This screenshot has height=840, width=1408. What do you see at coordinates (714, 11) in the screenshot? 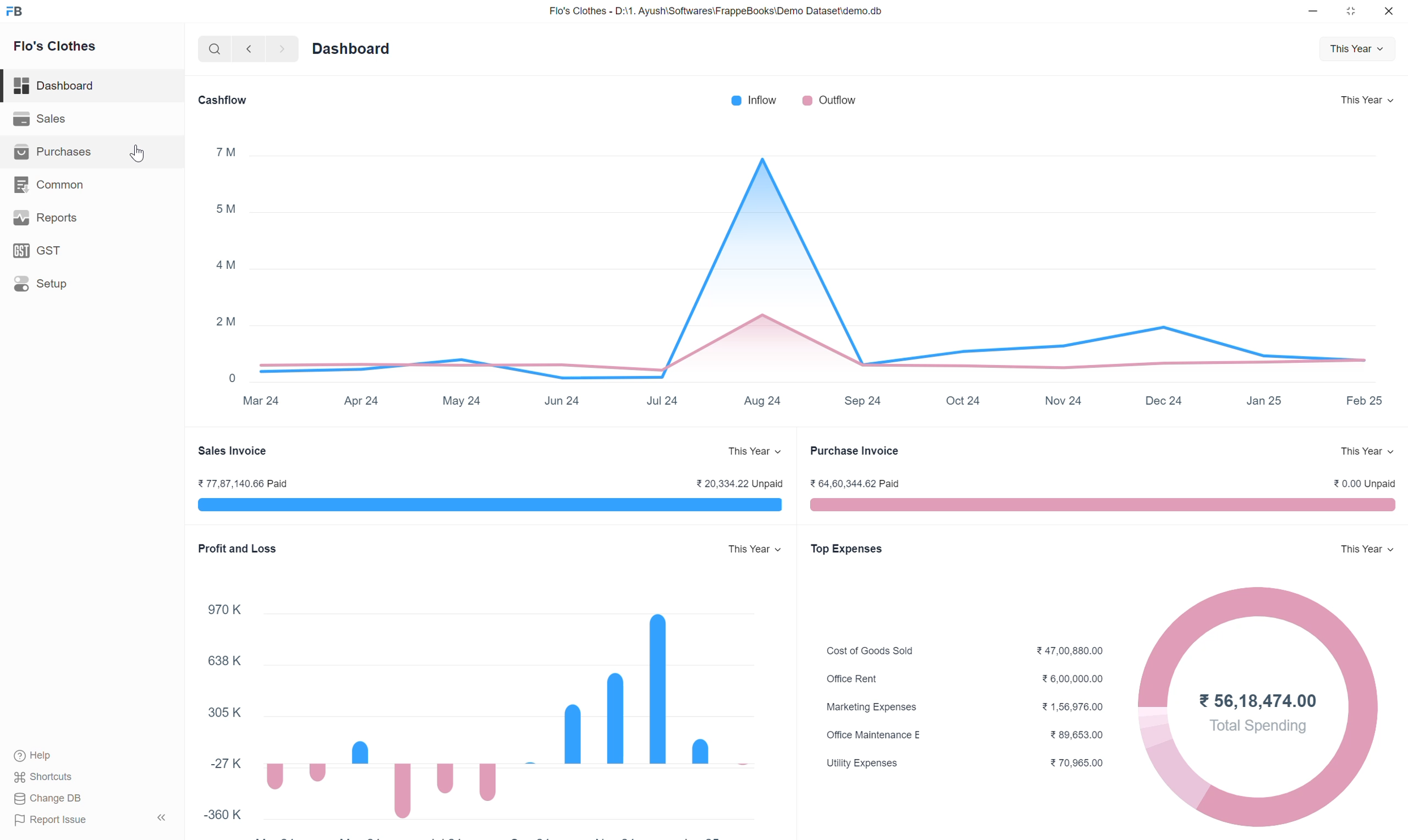
I see `Flo's Clothes - D:\1. Ayush\Softwares\FrappeBooks\Demo Dataset\demo.db` at bounding box center [714, 11].